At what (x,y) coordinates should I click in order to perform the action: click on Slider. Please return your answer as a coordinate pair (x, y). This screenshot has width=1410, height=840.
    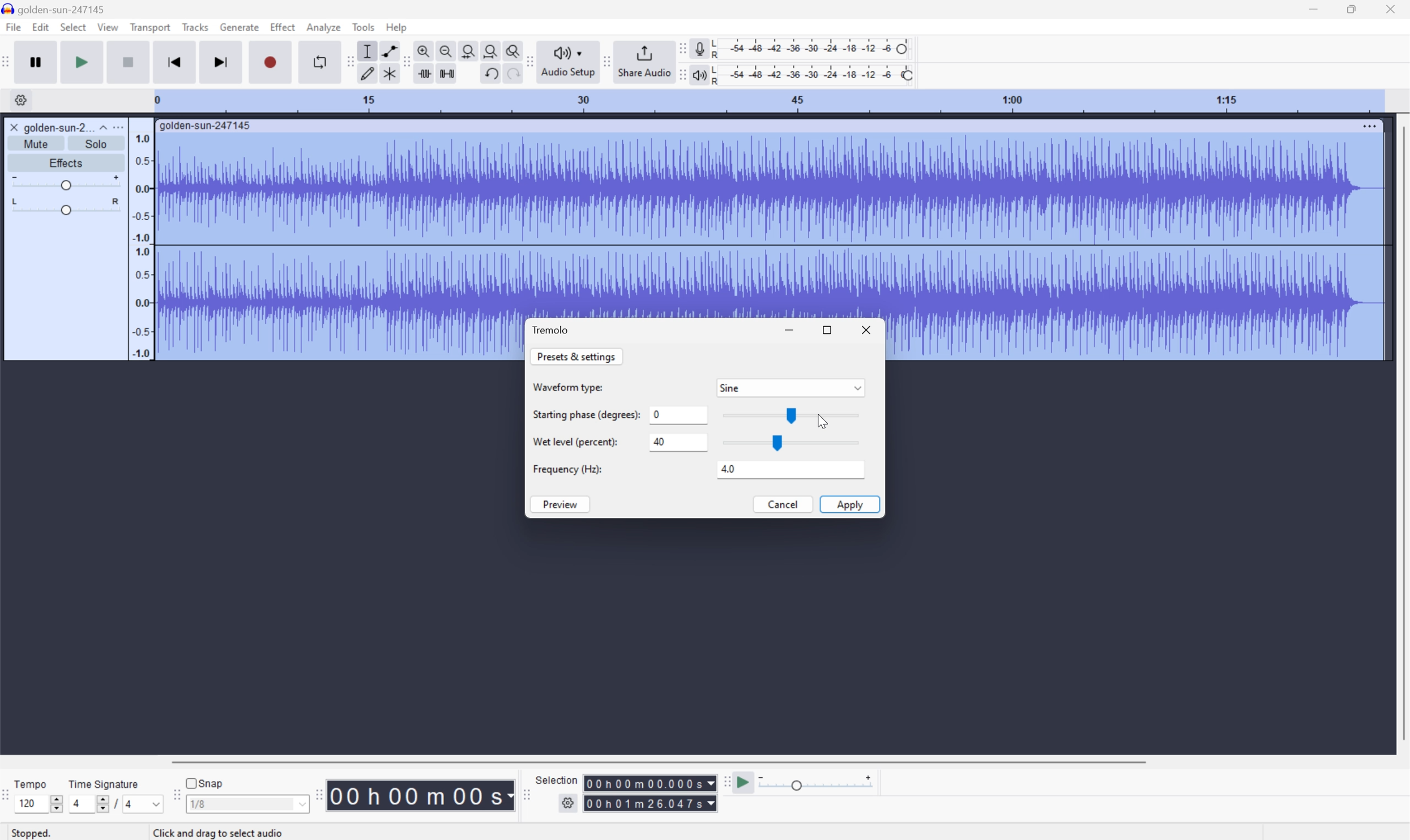
    Looking at the image, I should click on (57, 804).